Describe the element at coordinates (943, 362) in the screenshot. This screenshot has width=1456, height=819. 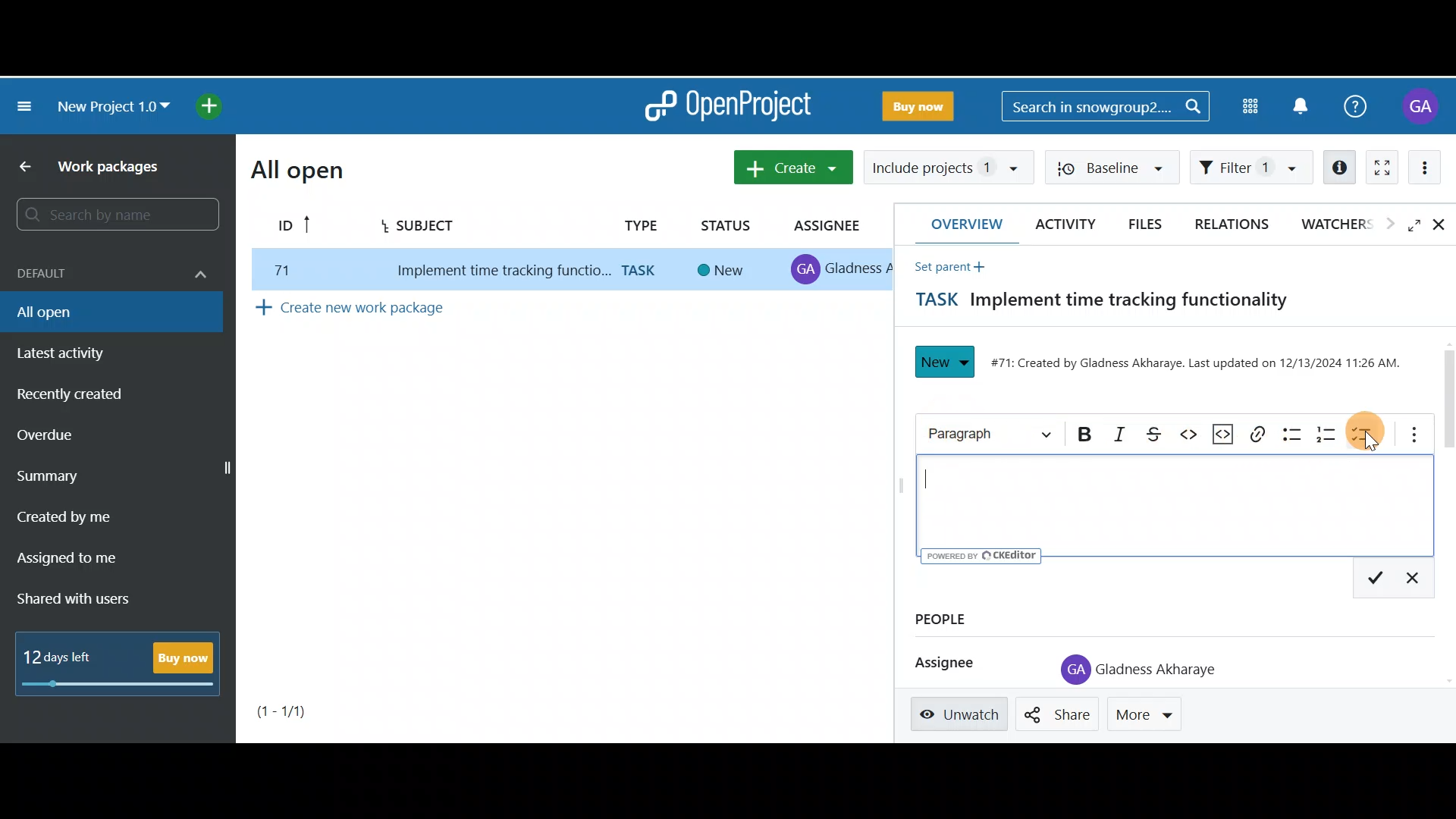
I see `New` at that location.